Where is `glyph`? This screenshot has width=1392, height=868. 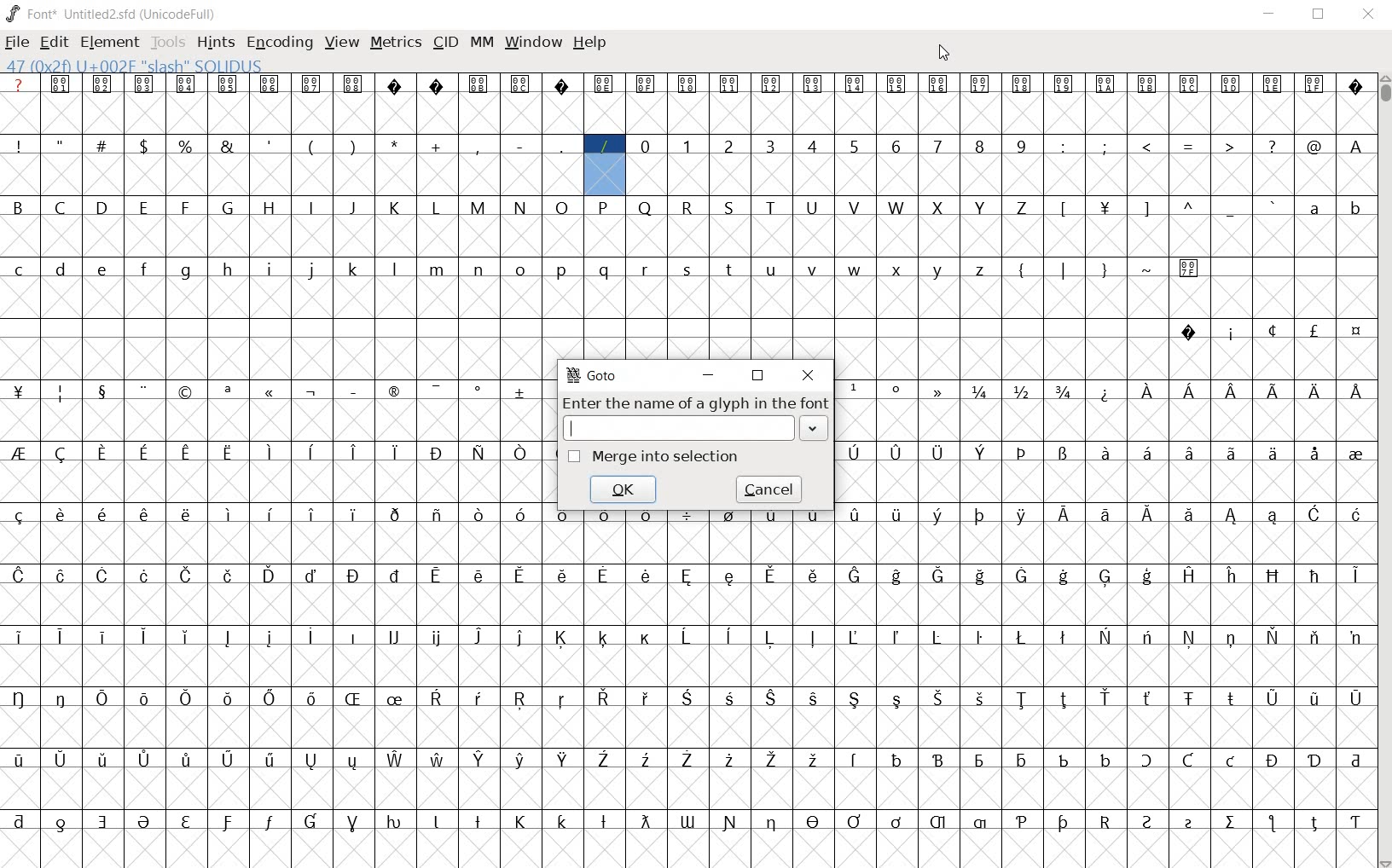 glyph is located at coordinates (812, 208).